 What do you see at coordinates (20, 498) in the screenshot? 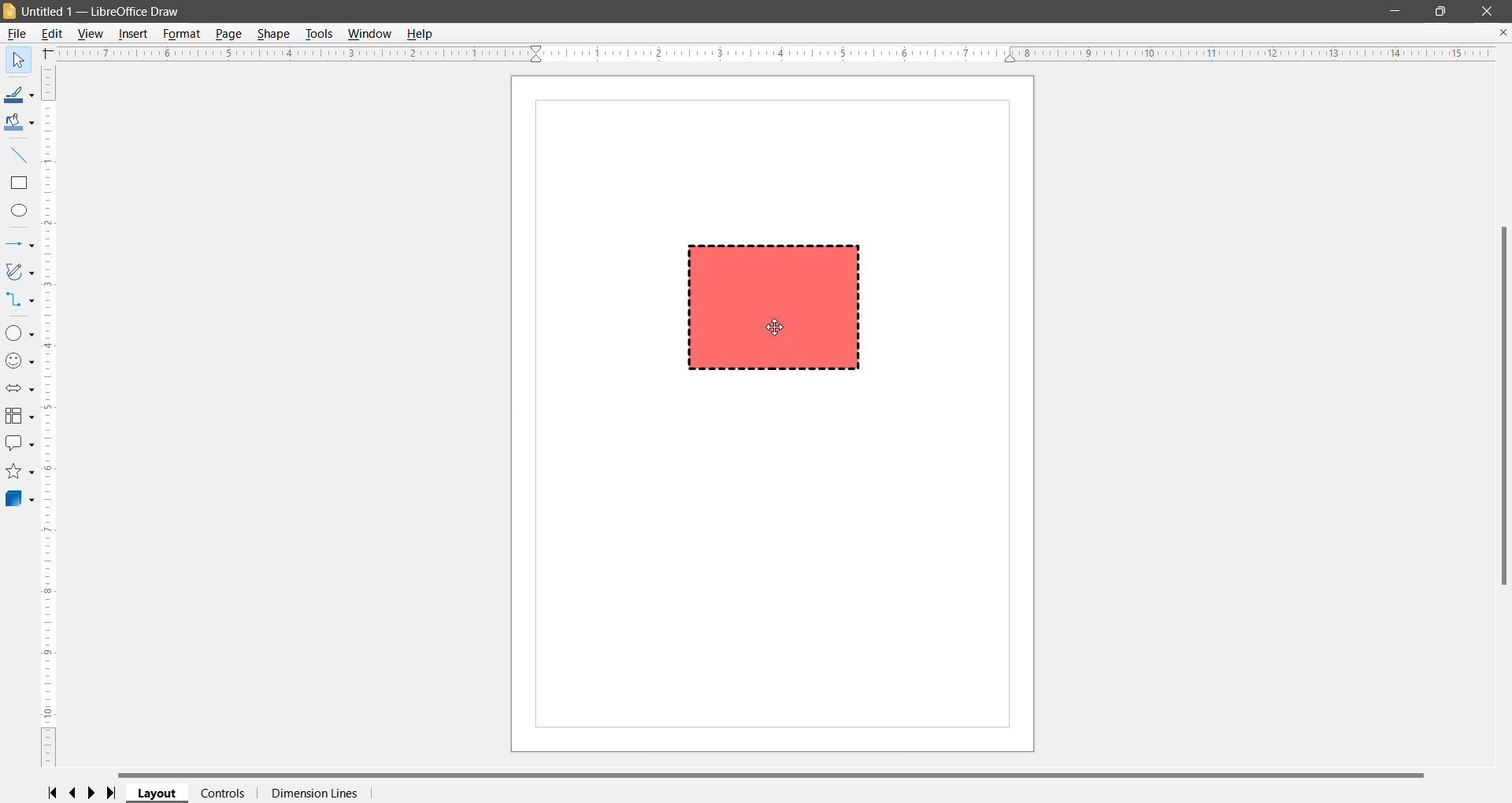
I see `3D Objects` at bounding box center [20, 498].